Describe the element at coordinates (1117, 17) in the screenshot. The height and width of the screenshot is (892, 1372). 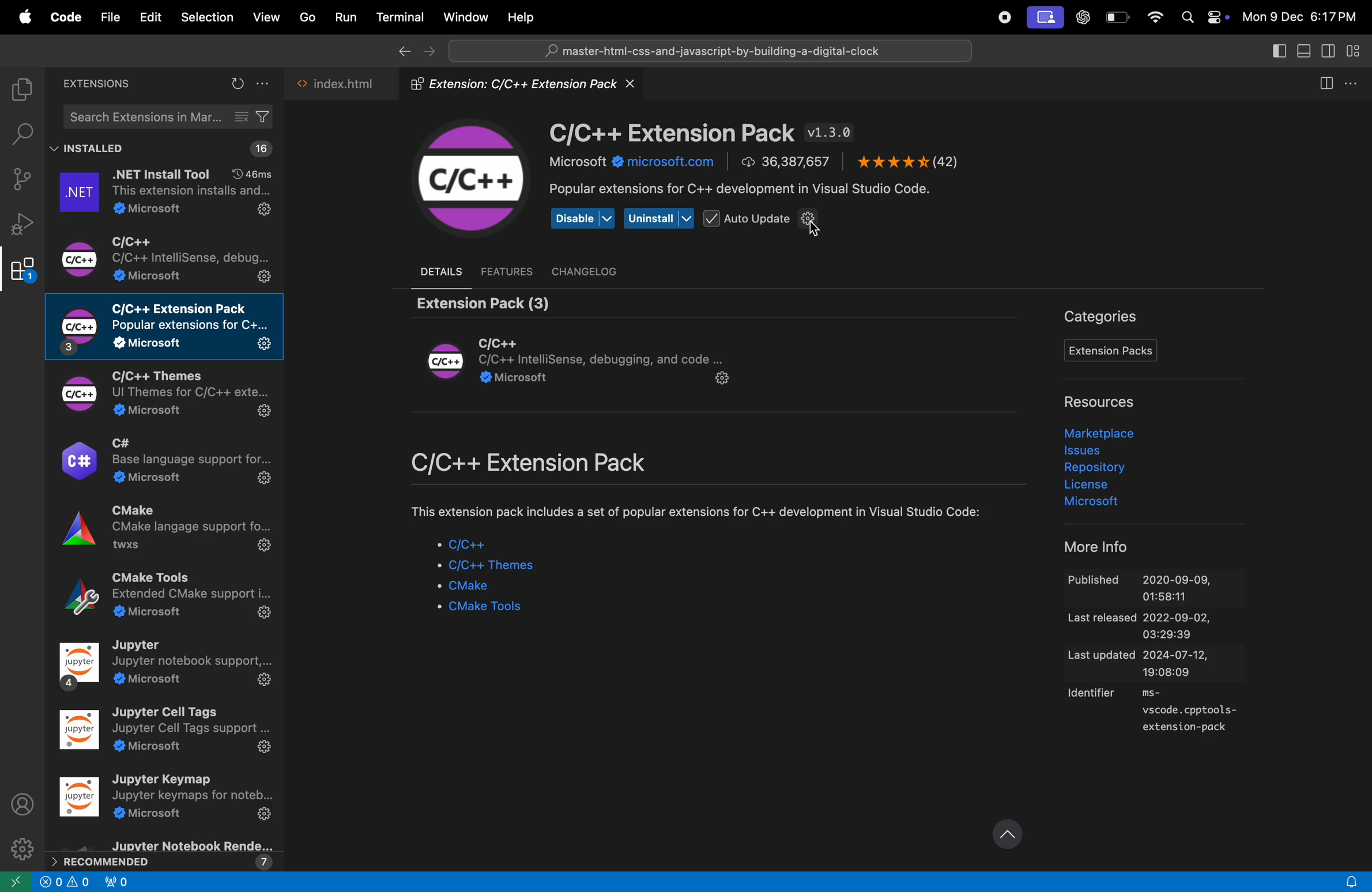
I see `battery` at that location.